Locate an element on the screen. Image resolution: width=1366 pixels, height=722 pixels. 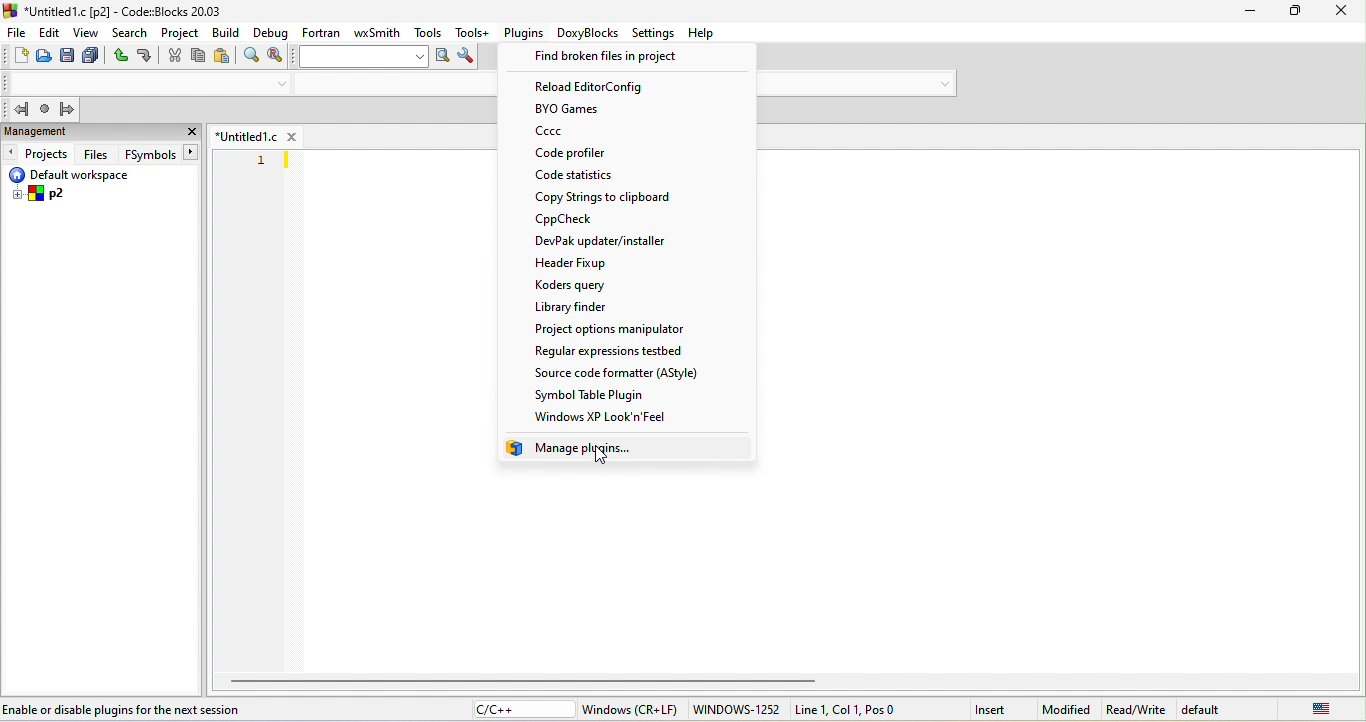
jump back is located at coordinates (15, 109).